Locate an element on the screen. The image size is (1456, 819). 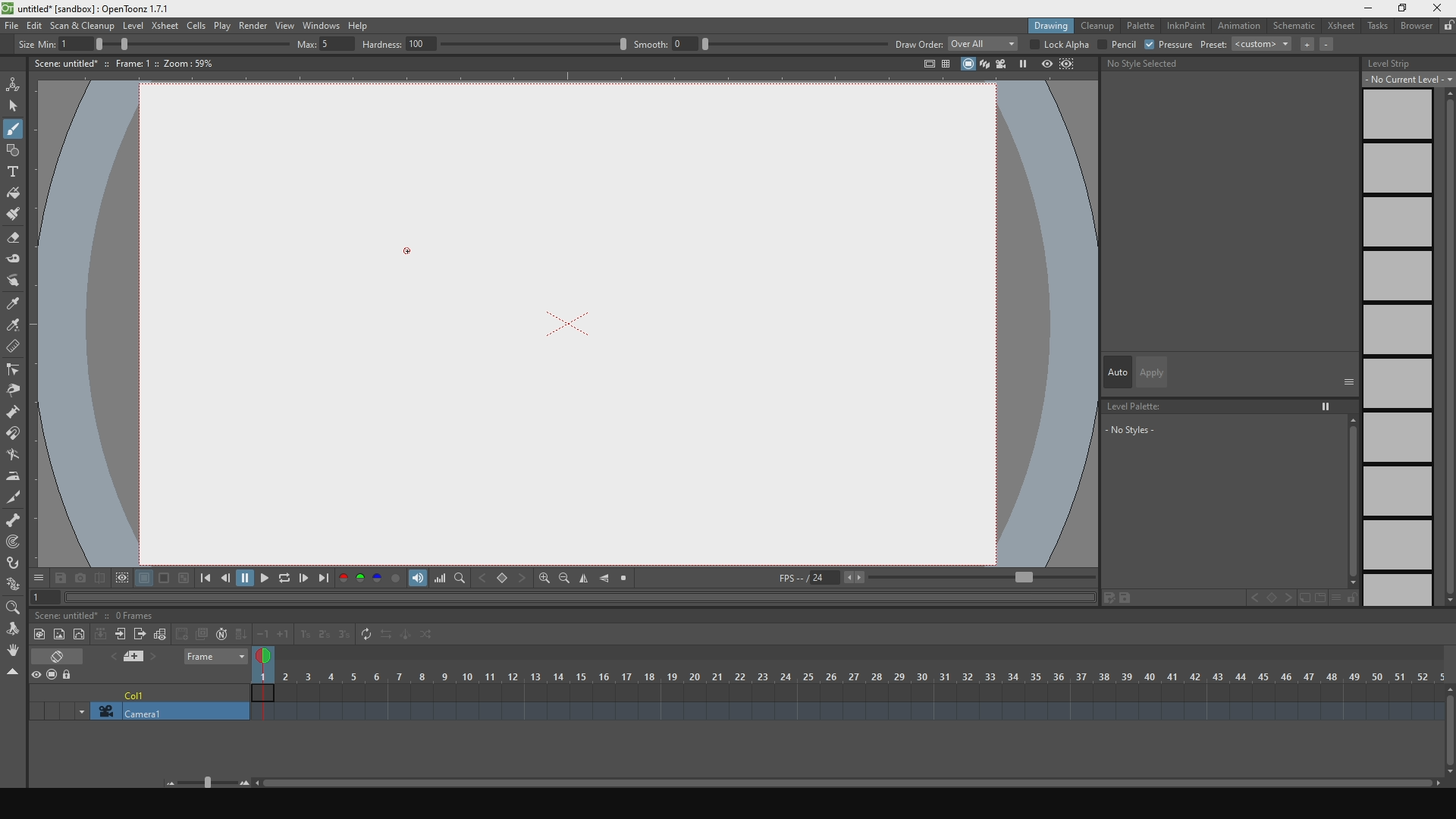
title is located at coordinates (99, 8).